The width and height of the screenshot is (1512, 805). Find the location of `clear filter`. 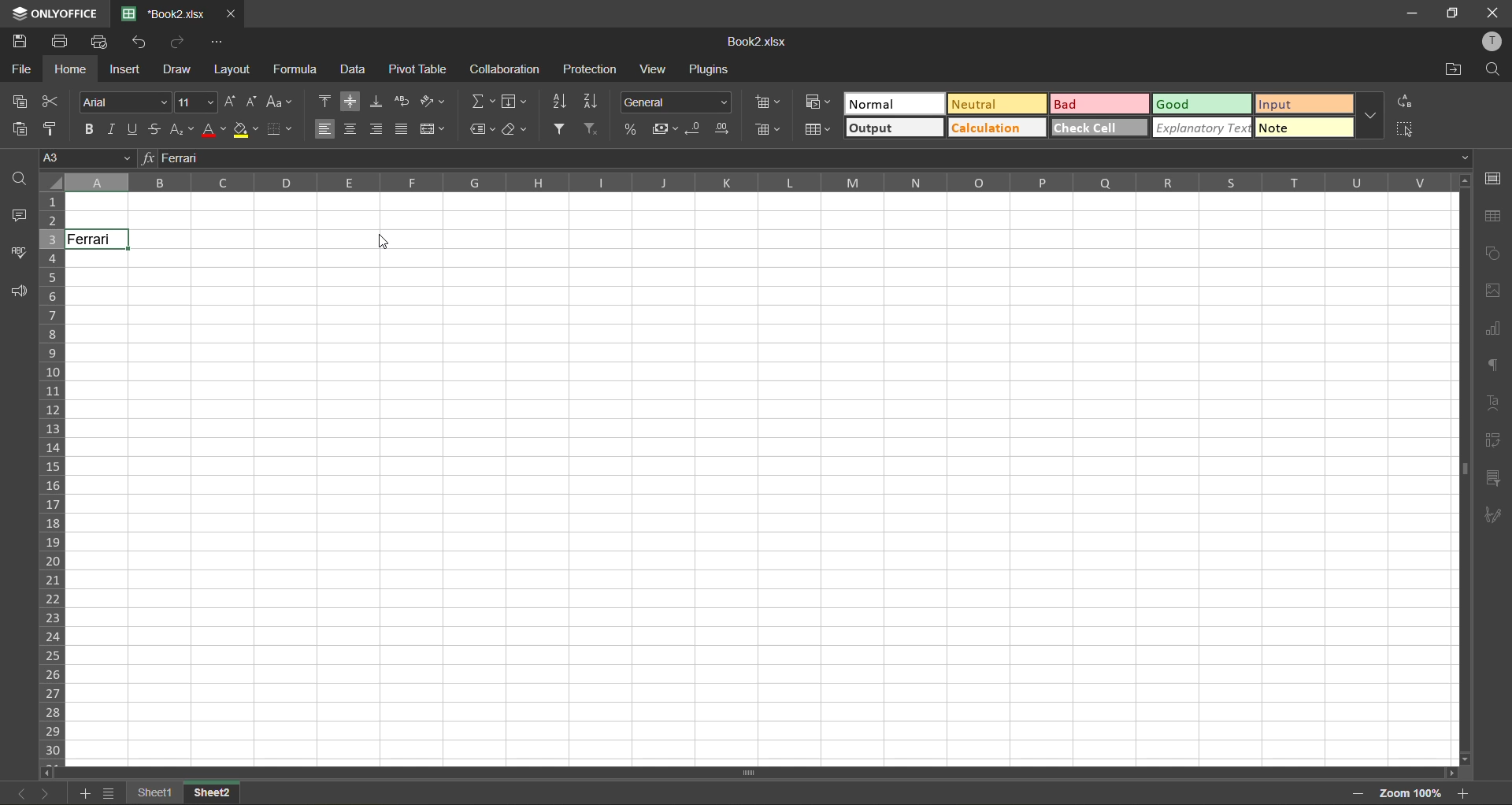

clear filter is located at coordinates (596, 130).